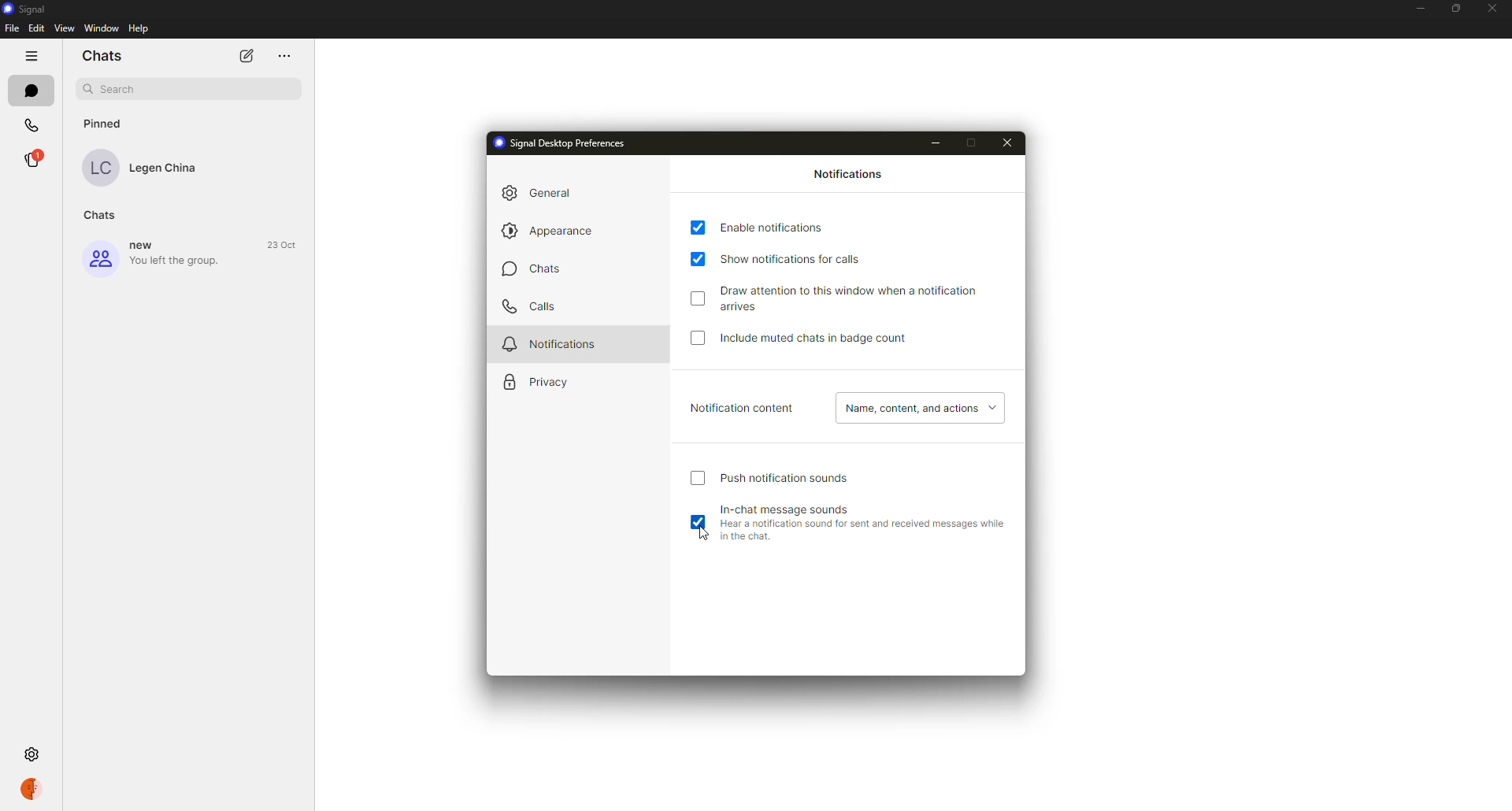 The height and width of the screenshot is (811, 1512). I want to click on restore, so click(1455, 9).